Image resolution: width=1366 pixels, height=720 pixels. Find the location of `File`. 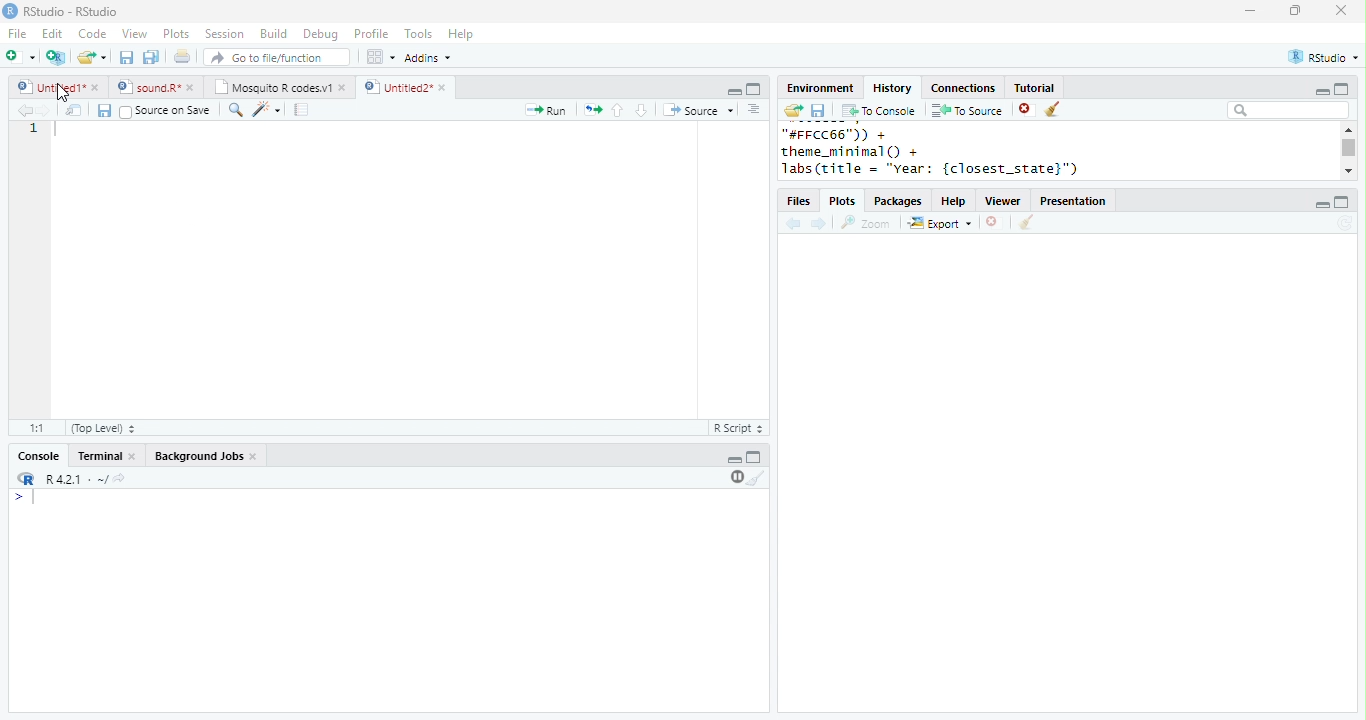

File is located at coordinates (19, 34).